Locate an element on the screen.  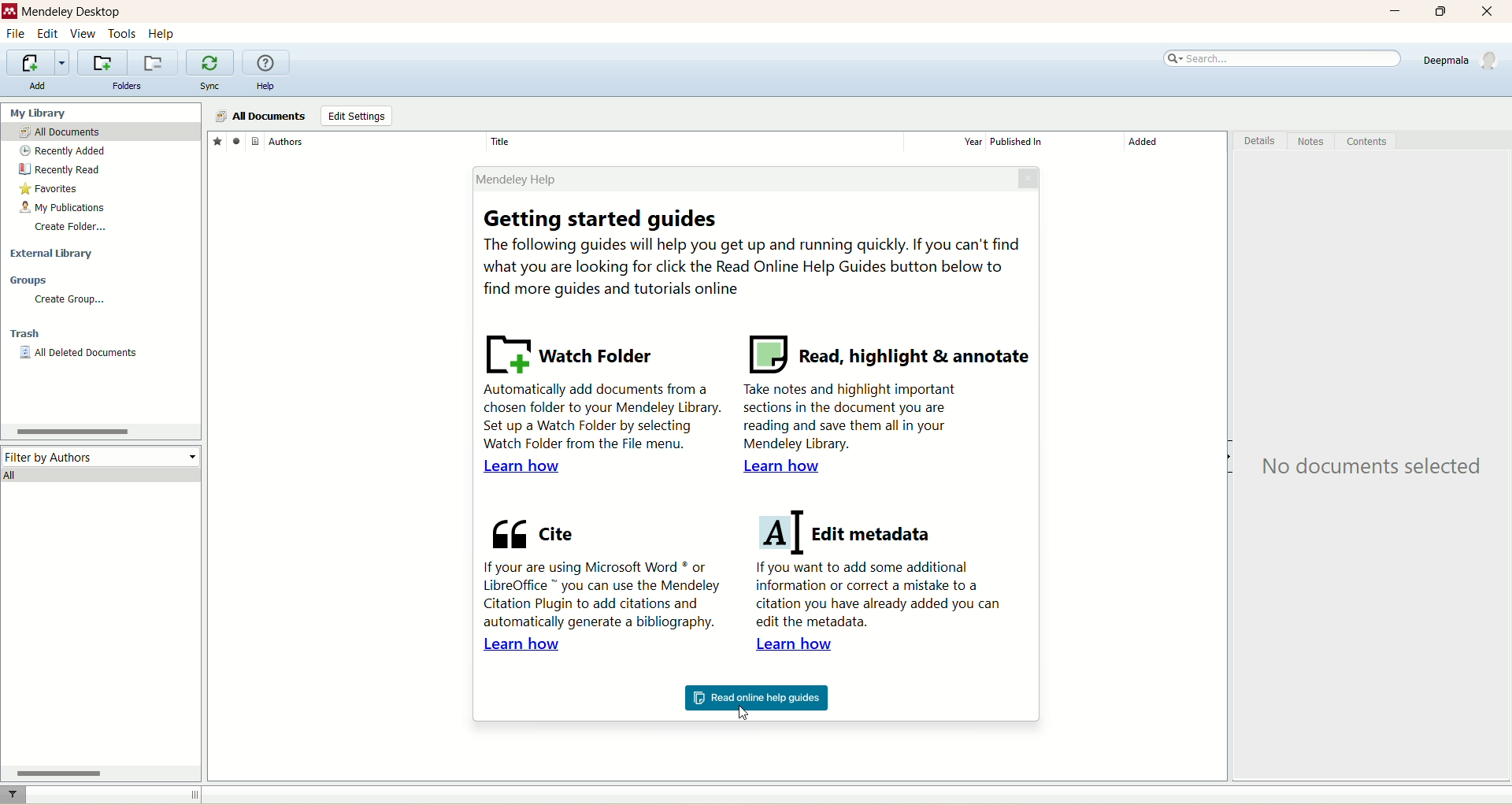
account is located at coordinates (1464, 60).